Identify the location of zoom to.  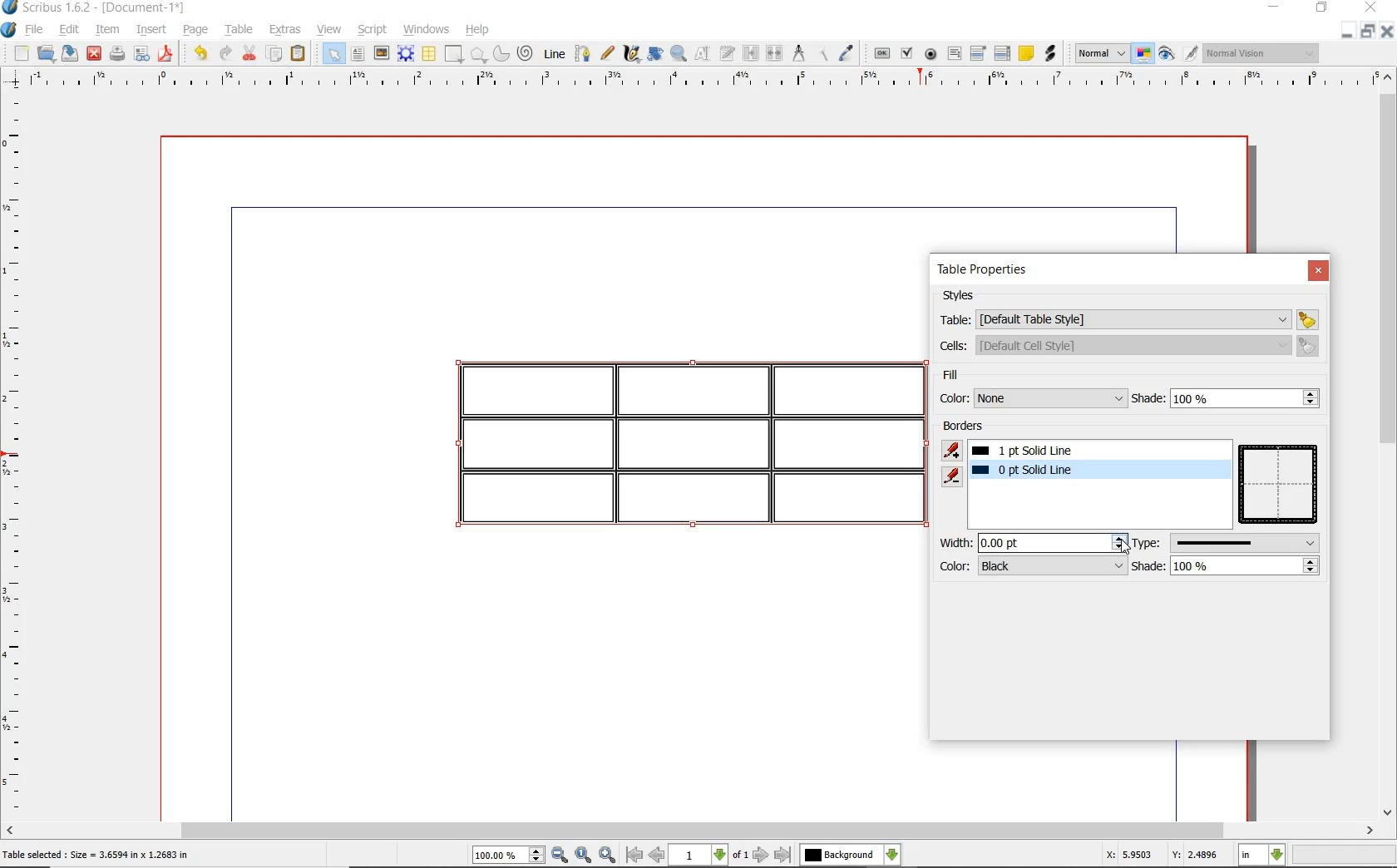
(583, 855).